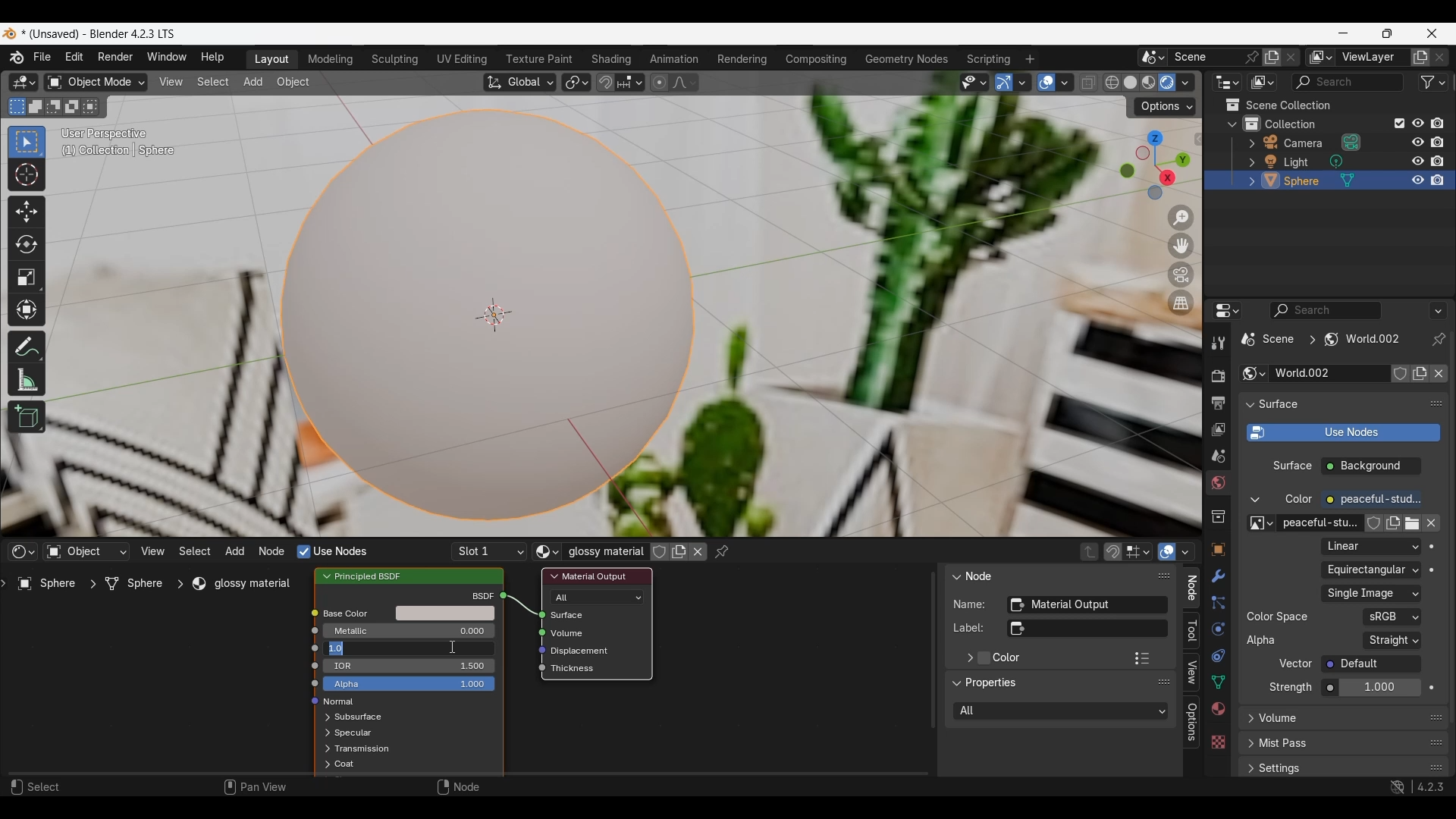  What do you see at coordinates (742, 59) in the screenshot?
I see `Rendering workspace` at bounding box center [742, 59].